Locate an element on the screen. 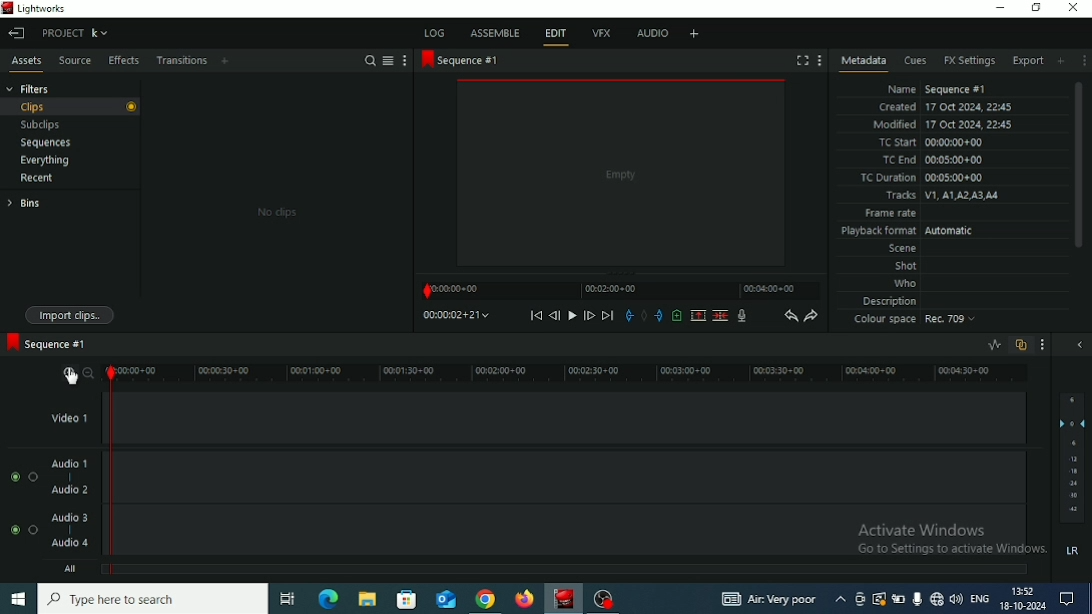 The height and width of the screenshot is (614, 1092). Zoom out is located at coordinates (90, 373).